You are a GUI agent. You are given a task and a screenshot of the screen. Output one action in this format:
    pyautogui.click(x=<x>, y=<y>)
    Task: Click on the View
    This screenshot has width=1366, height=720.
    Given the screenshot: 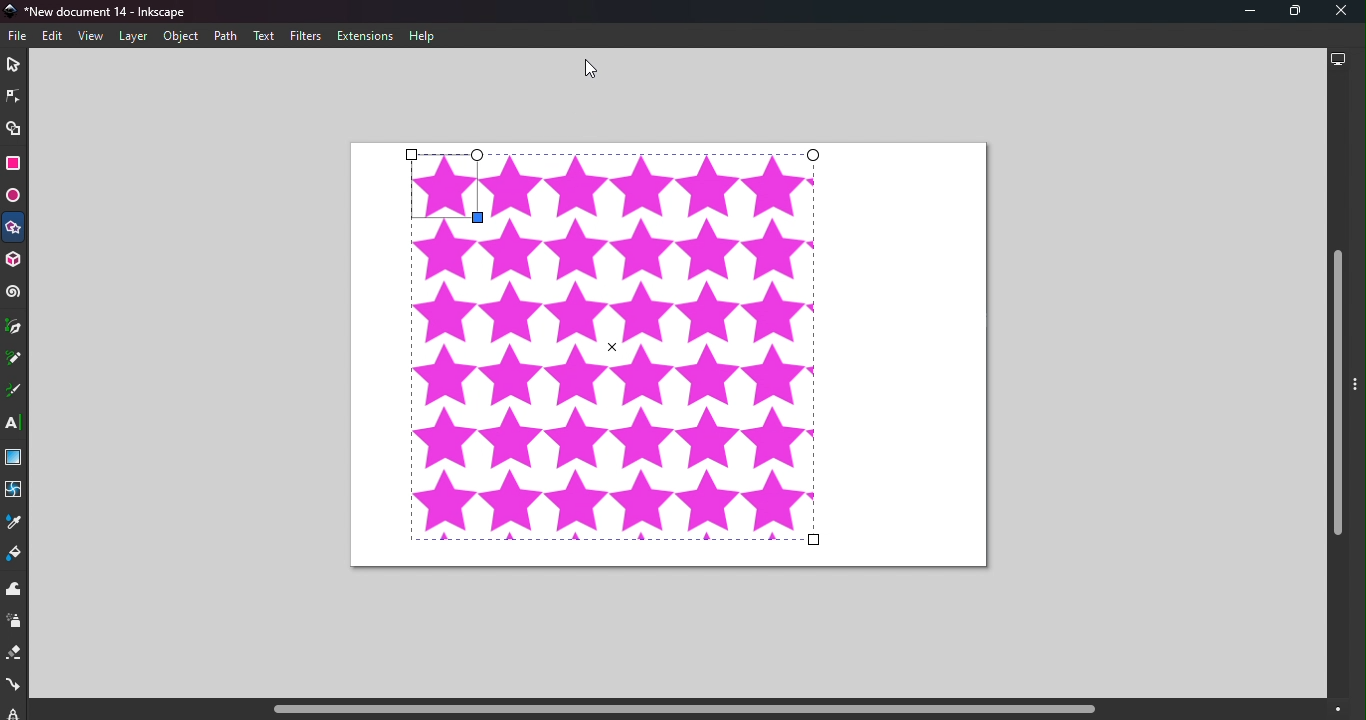 What is the action you would take?
    pyautogui.click(x=90, y=35)
    